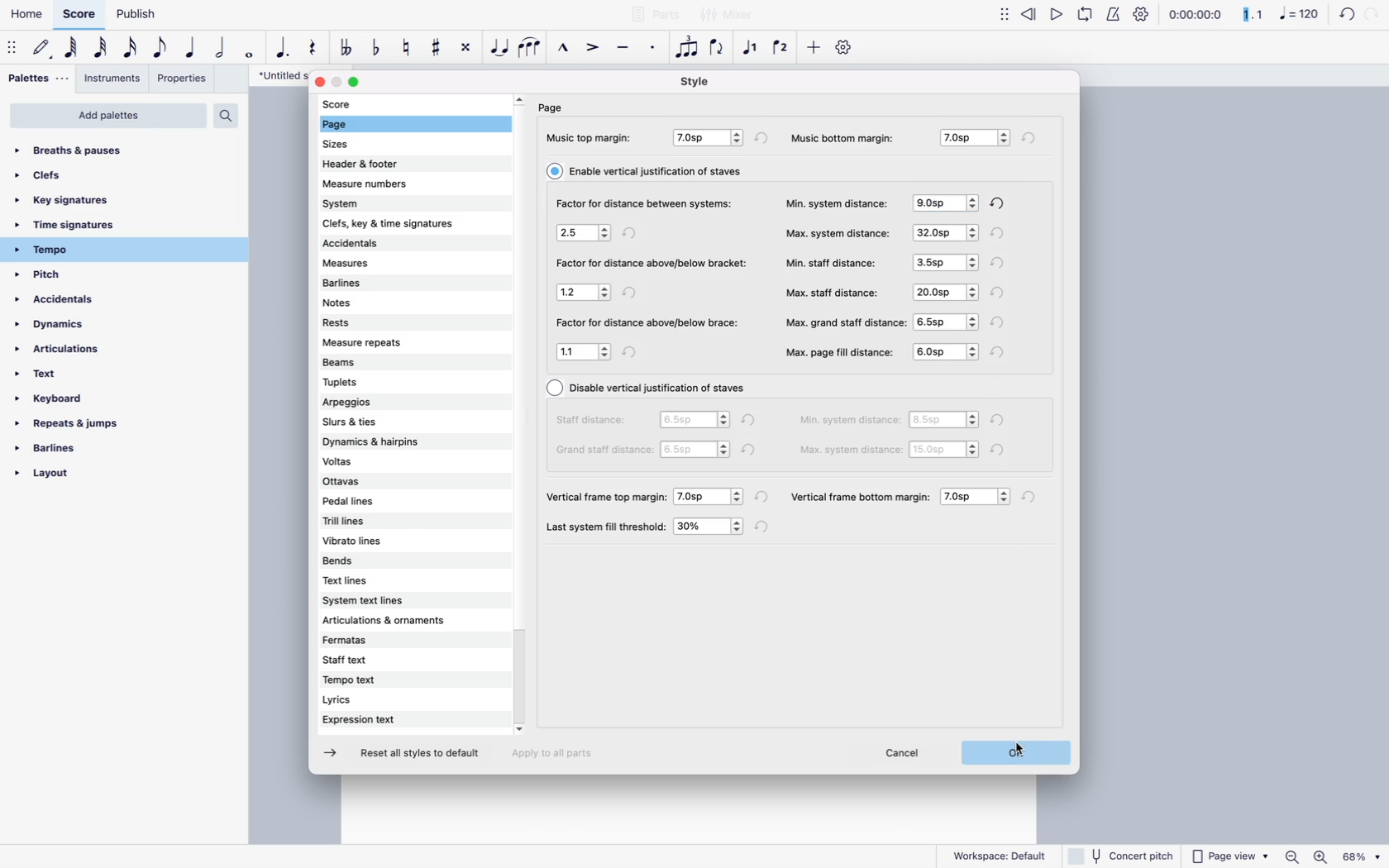  What do you see at coordinates (694, 81) in the screenshot?
I see `style` at bounding box center [694, 81].